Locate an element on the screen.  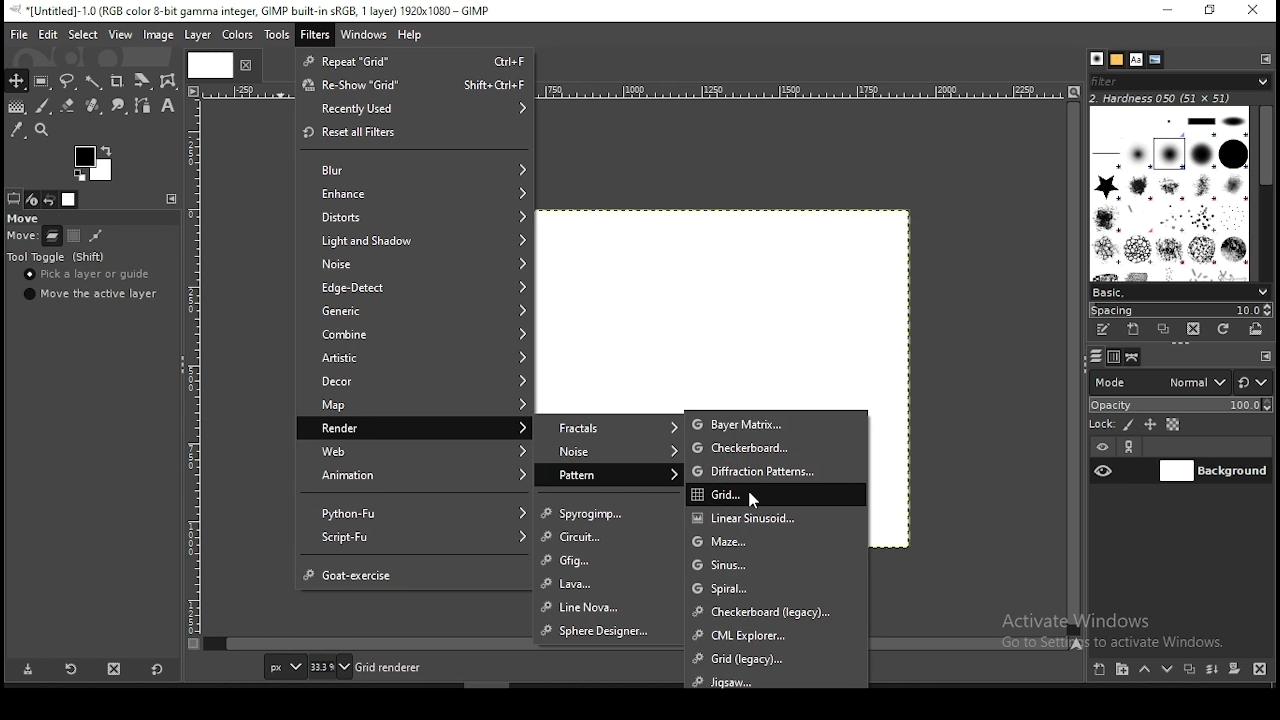
lava is located at coordinates (609, 585).